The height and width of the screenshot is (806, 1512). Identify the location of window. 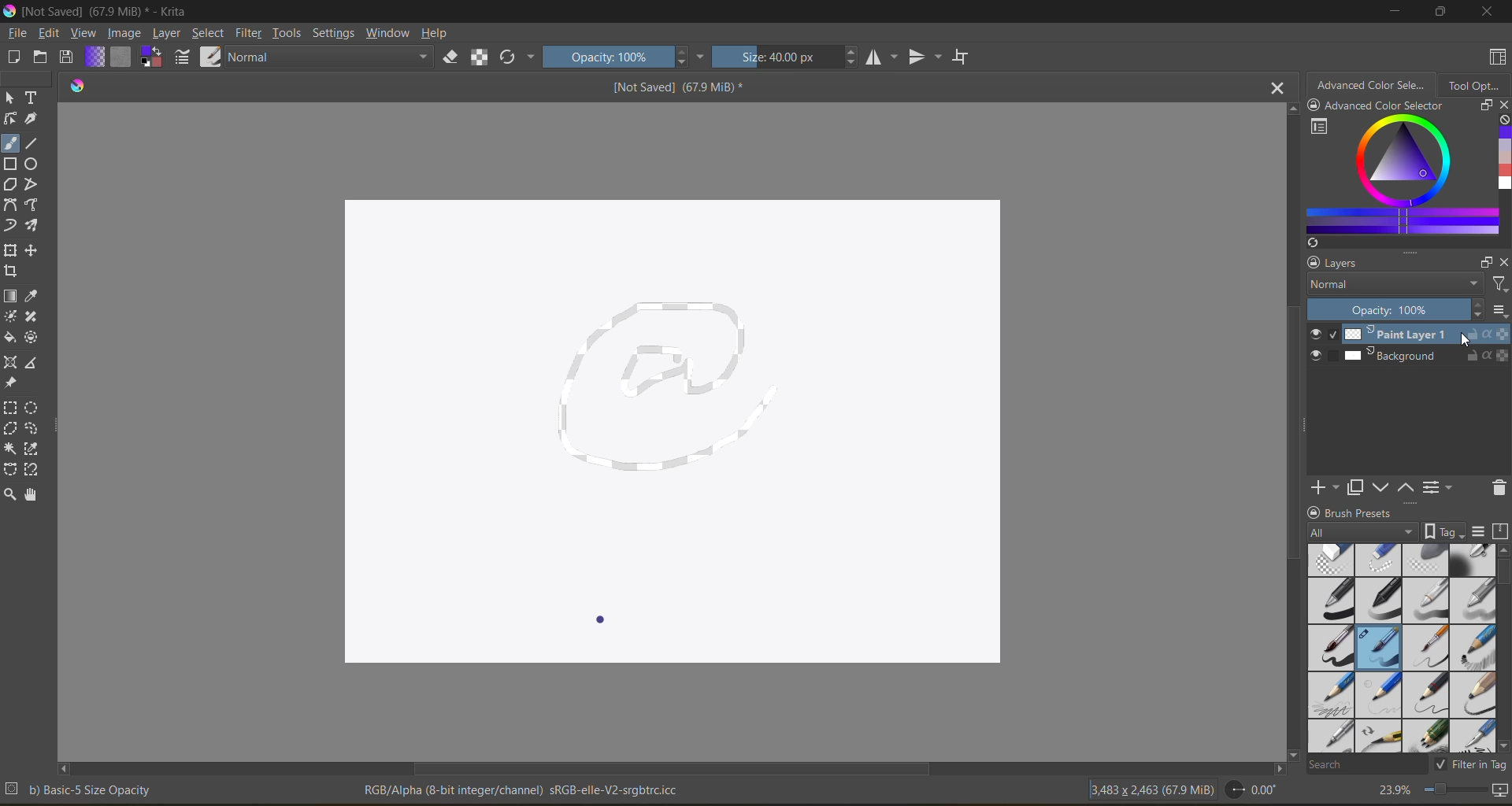
(388, 33).